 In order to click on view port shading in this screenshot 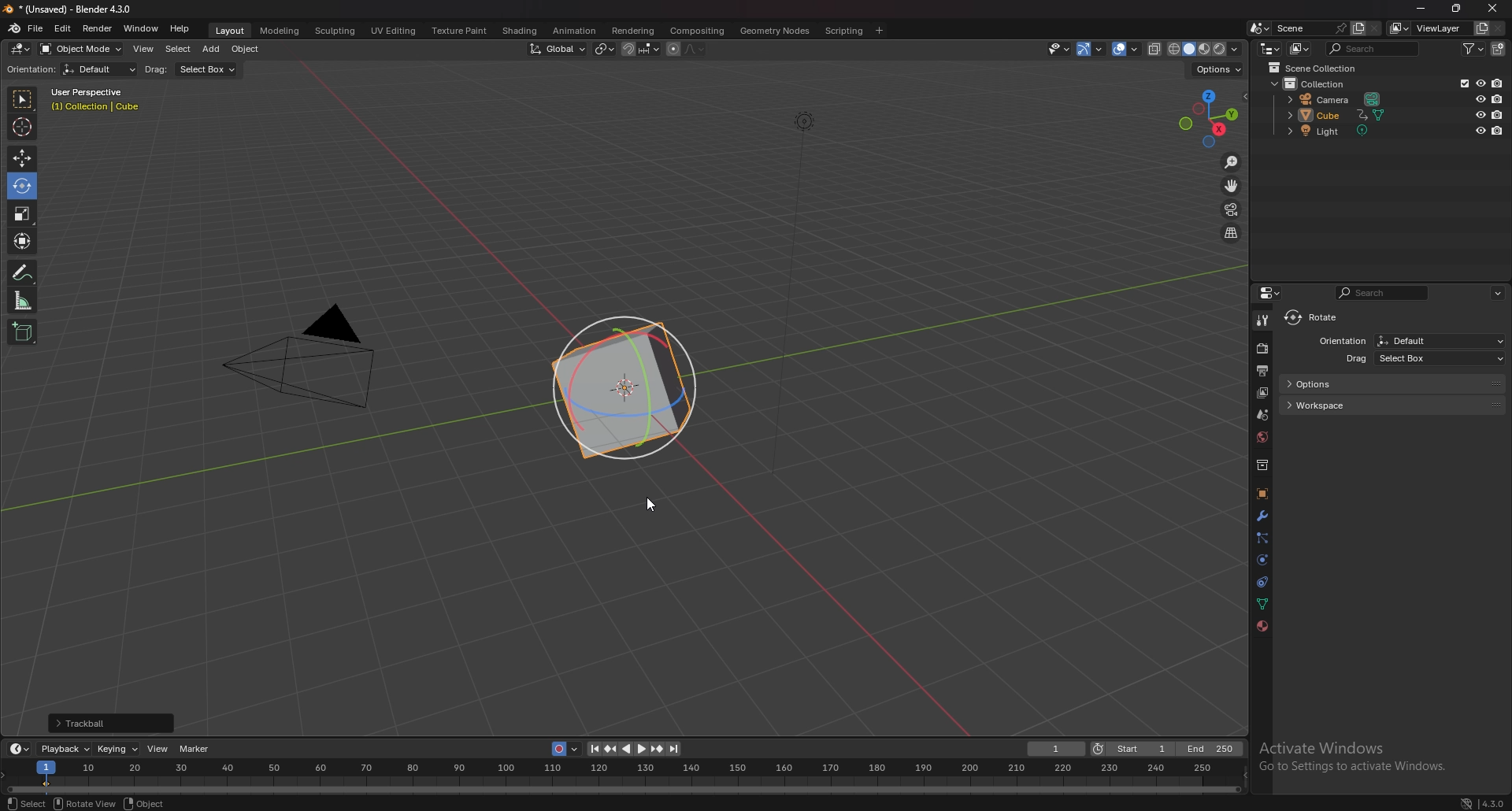, I will do `click(1206, 49)`.